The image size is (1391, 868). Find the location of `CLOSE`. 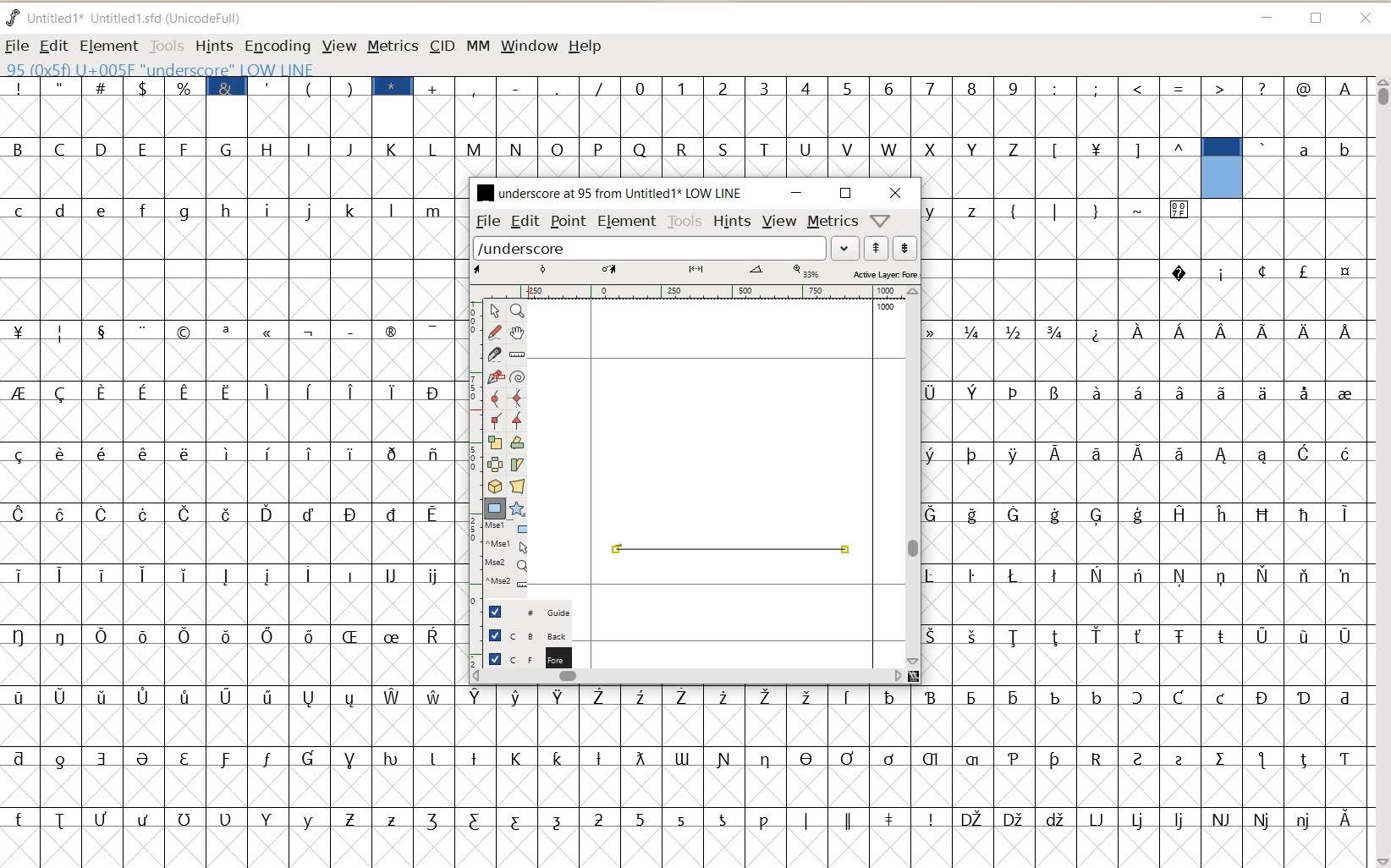

CLOSE is located at coordinates (1367, 19).